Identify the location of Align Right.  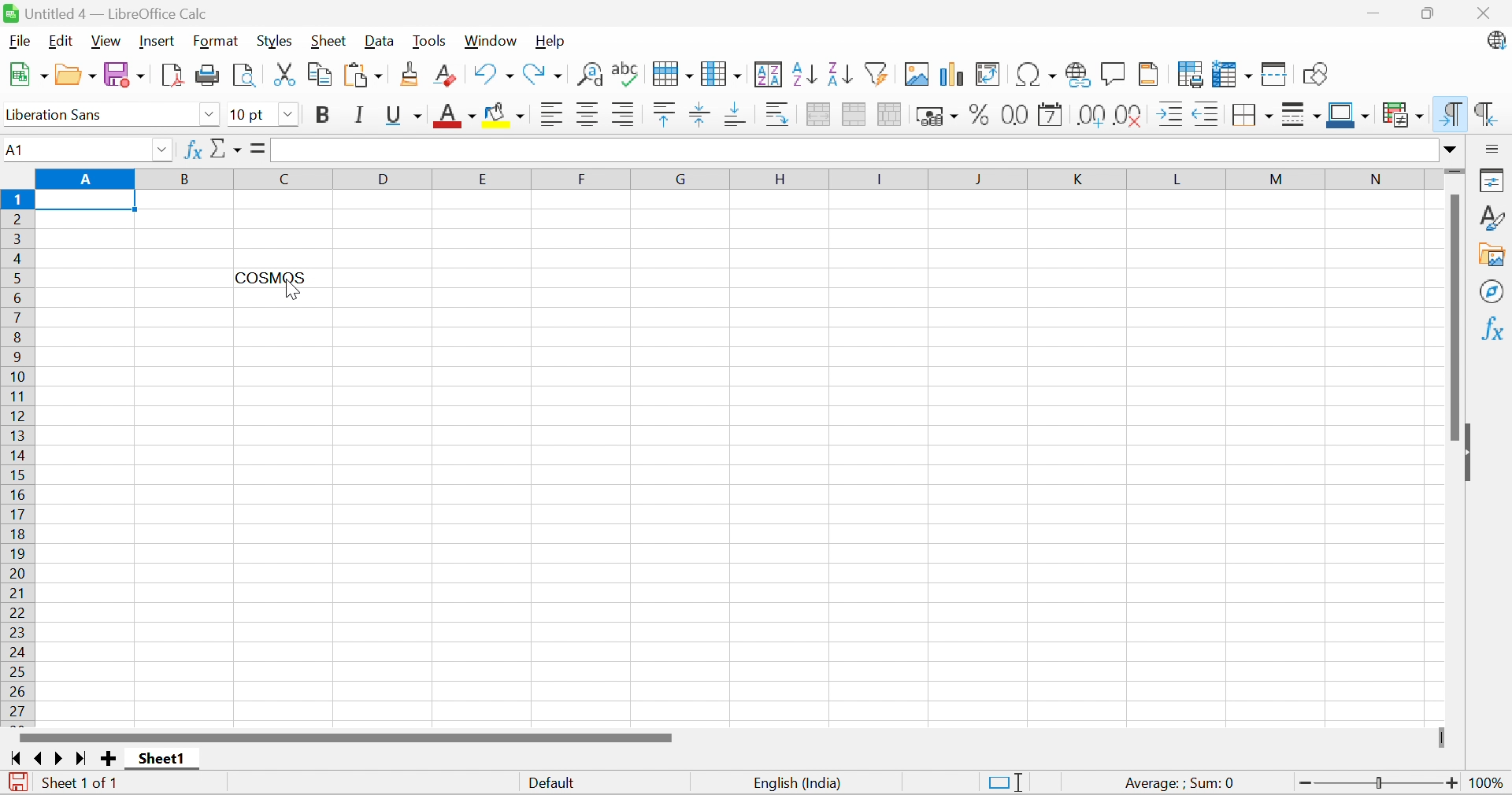
(626, 115).